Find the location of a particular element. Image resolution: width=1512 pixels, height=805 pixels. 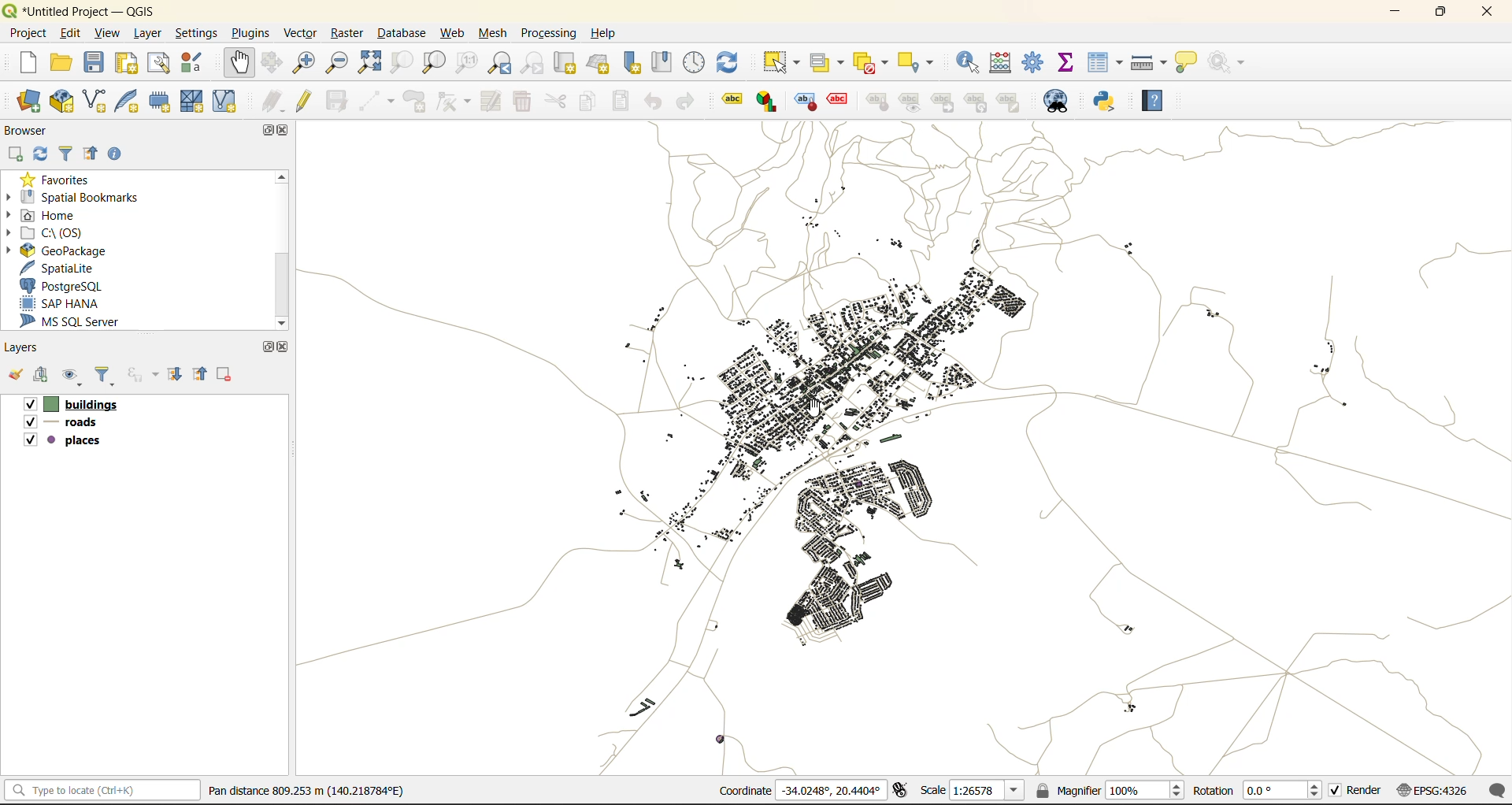

plugins is located at coordinates (248, 32).